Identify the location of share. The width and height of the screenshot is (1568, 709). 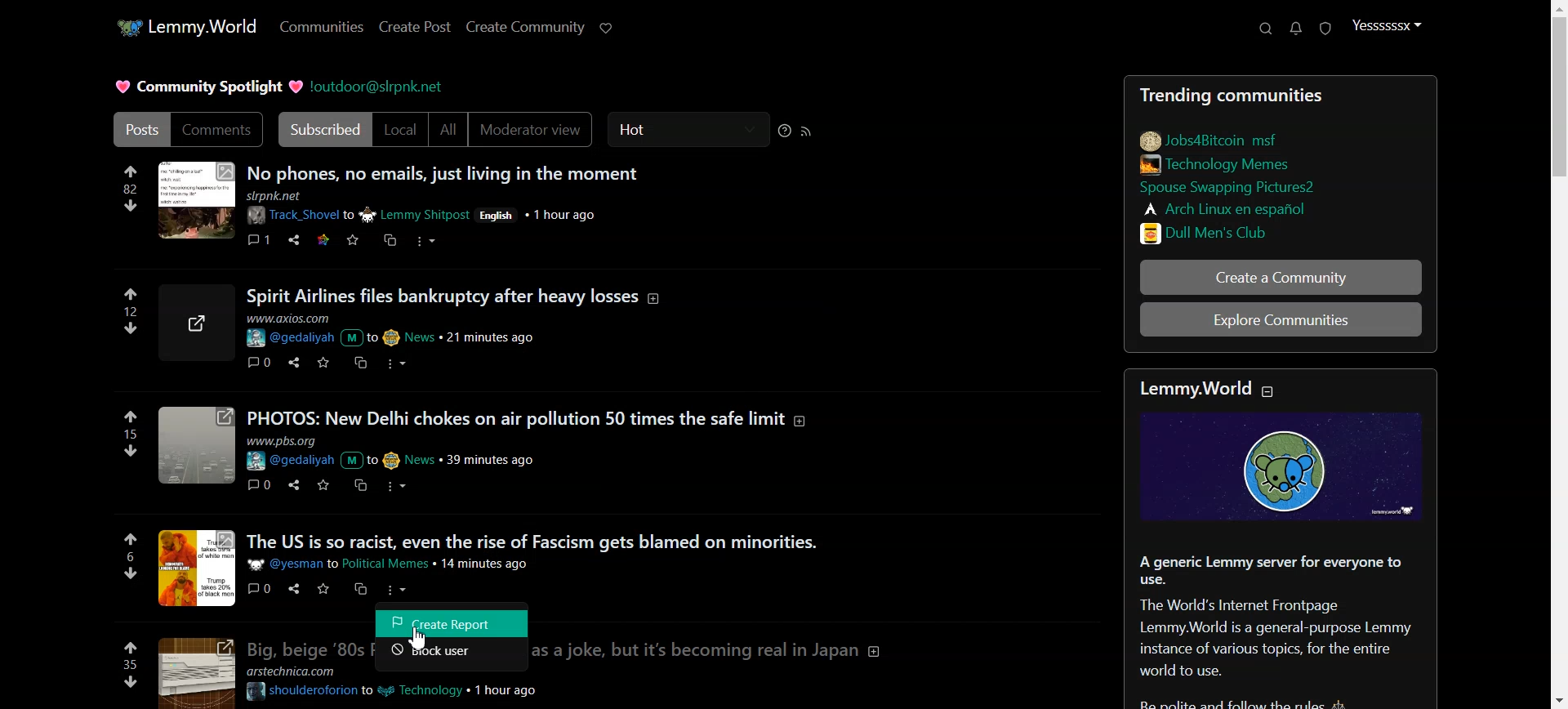
(291, 360).